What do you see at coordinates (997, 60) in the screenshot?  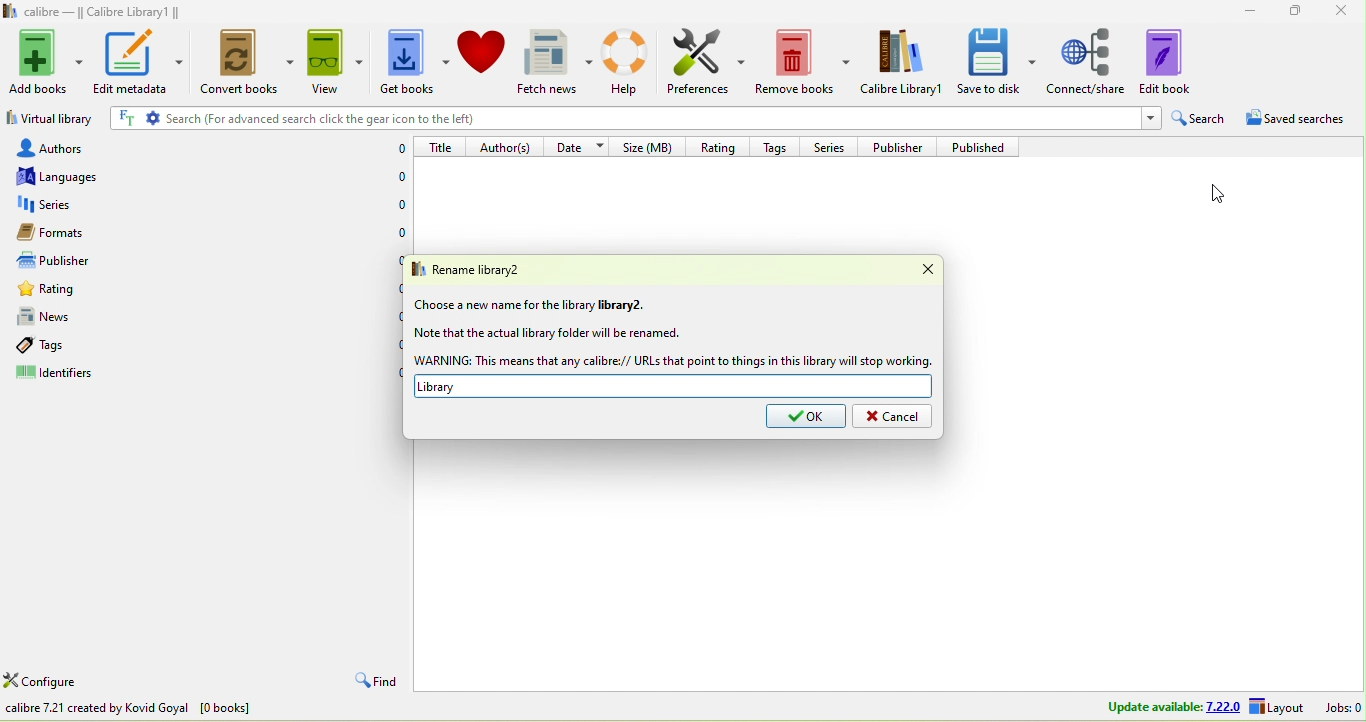 I see `save to disk` at bounding box center [997, 60].